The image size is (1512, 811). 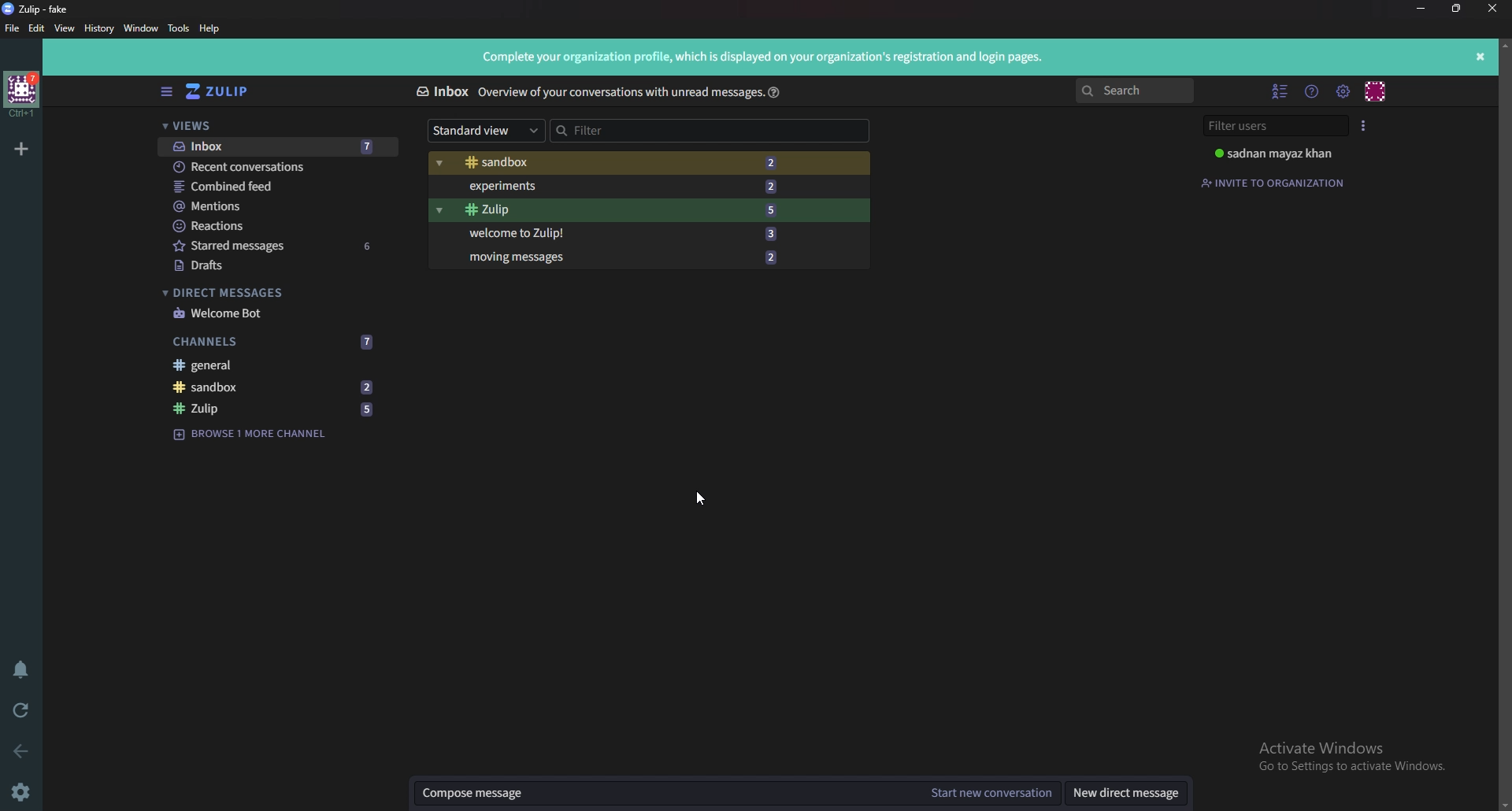 What do you see at coordinates (276, 244) in the screenshot?
I see `starred Messages` at bounding box center [276, 244].